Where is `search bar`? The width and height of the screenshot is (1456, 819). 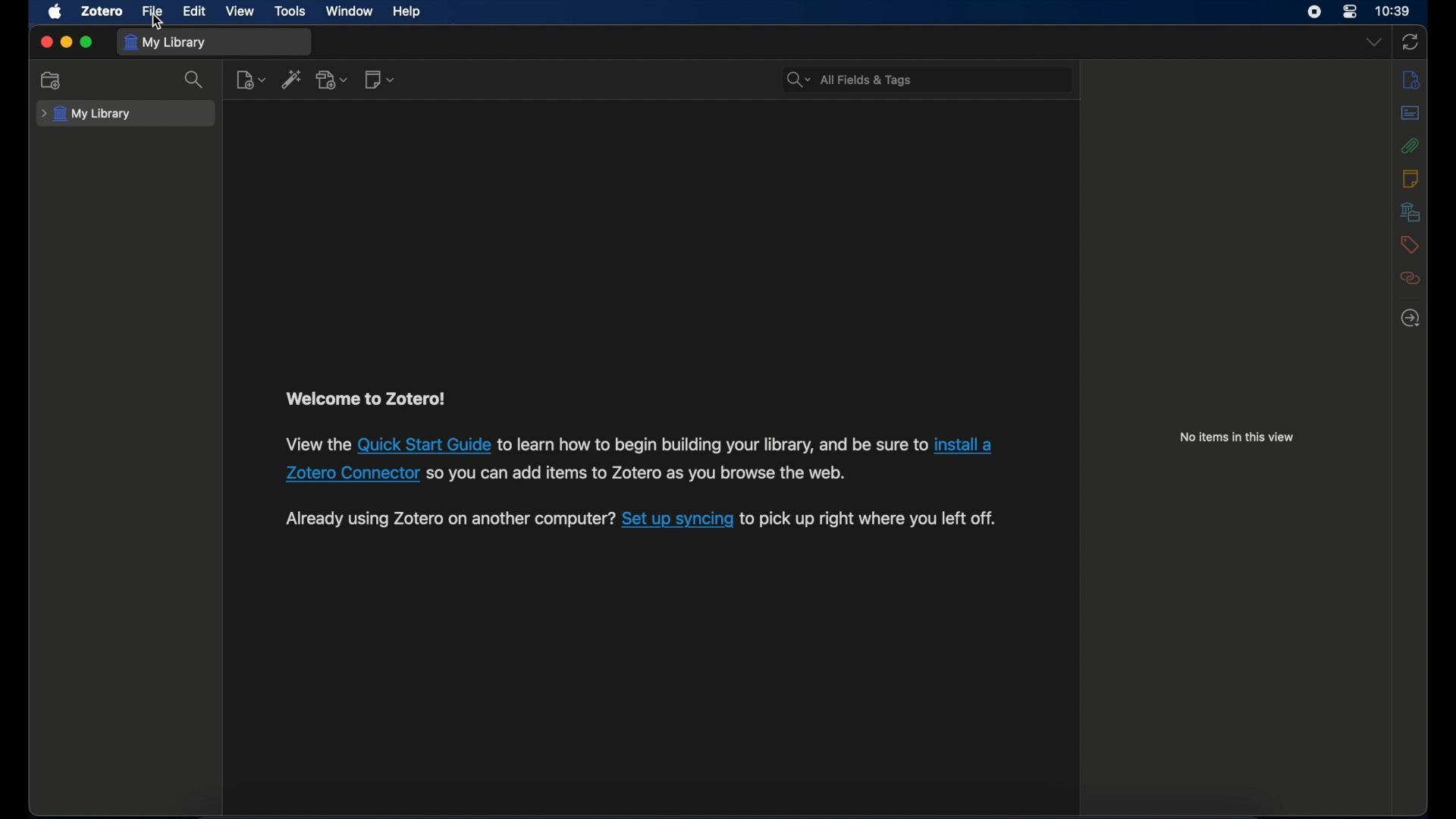
search bar is located at coordinates (851, 80).